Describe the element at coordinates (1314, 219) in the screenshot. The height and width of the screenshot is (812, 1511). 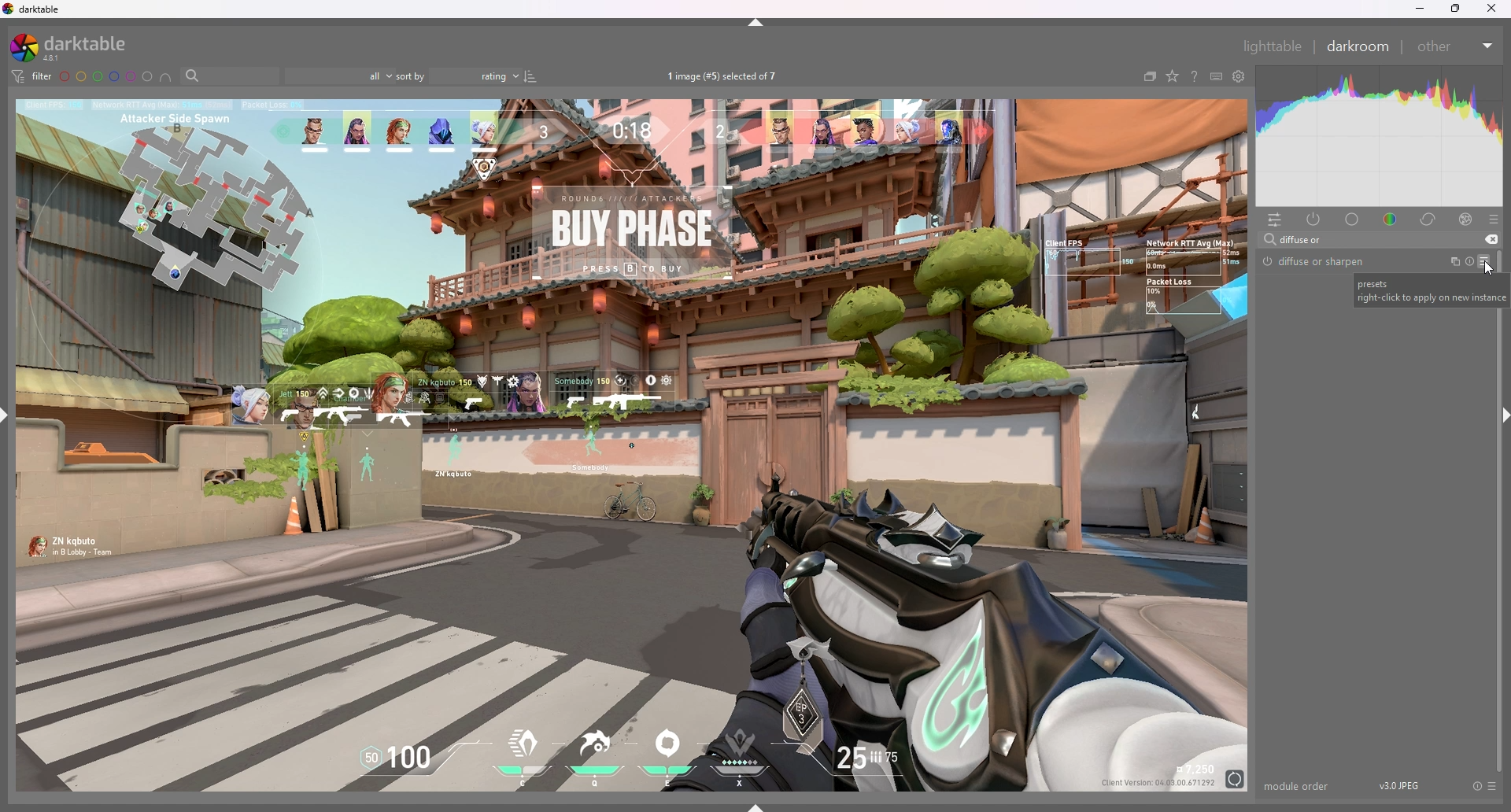
I see `active modules` at that location.